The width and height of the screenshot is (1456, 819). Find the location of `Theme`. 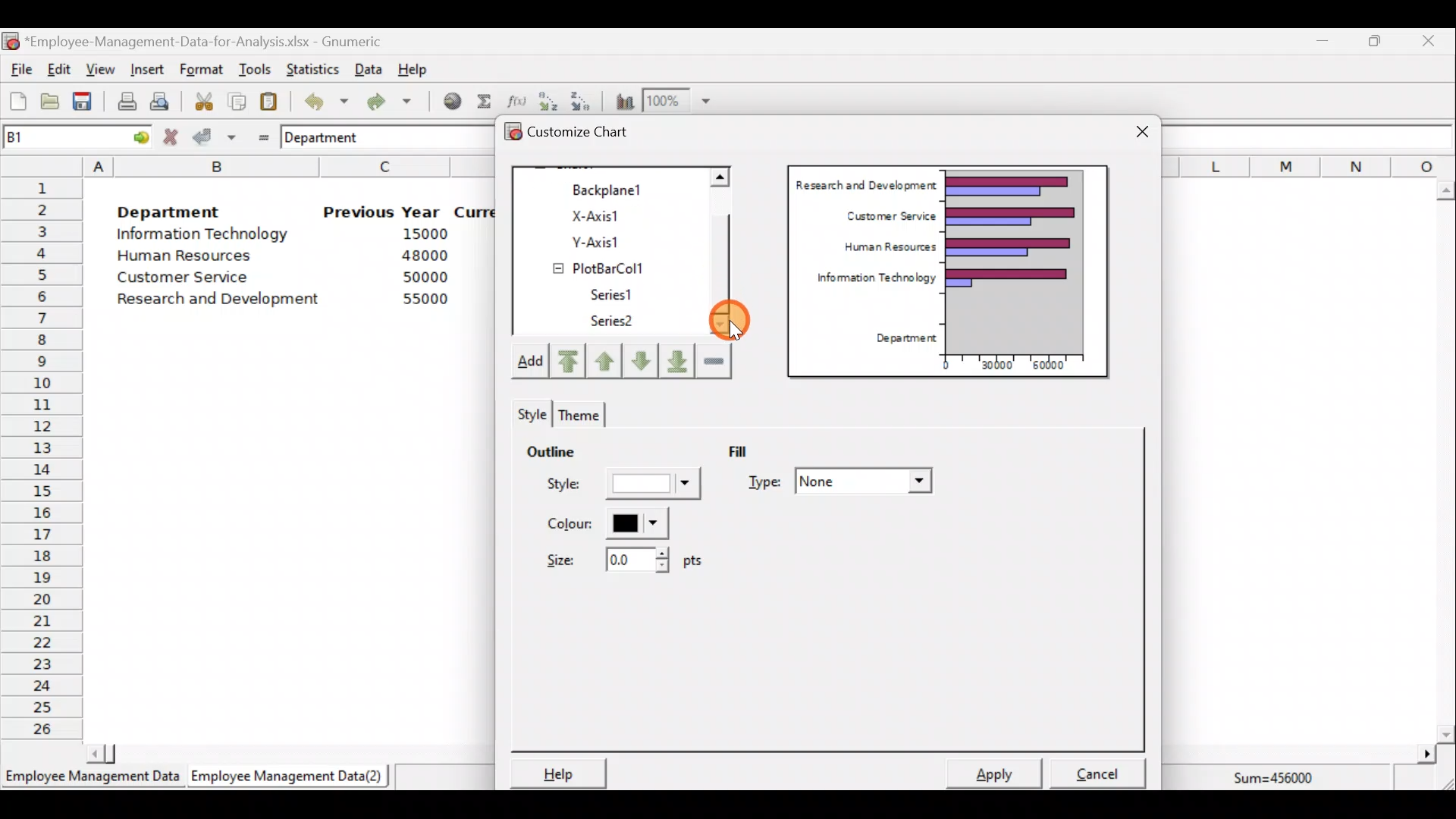

Theme is located at coordinates (576, 415).